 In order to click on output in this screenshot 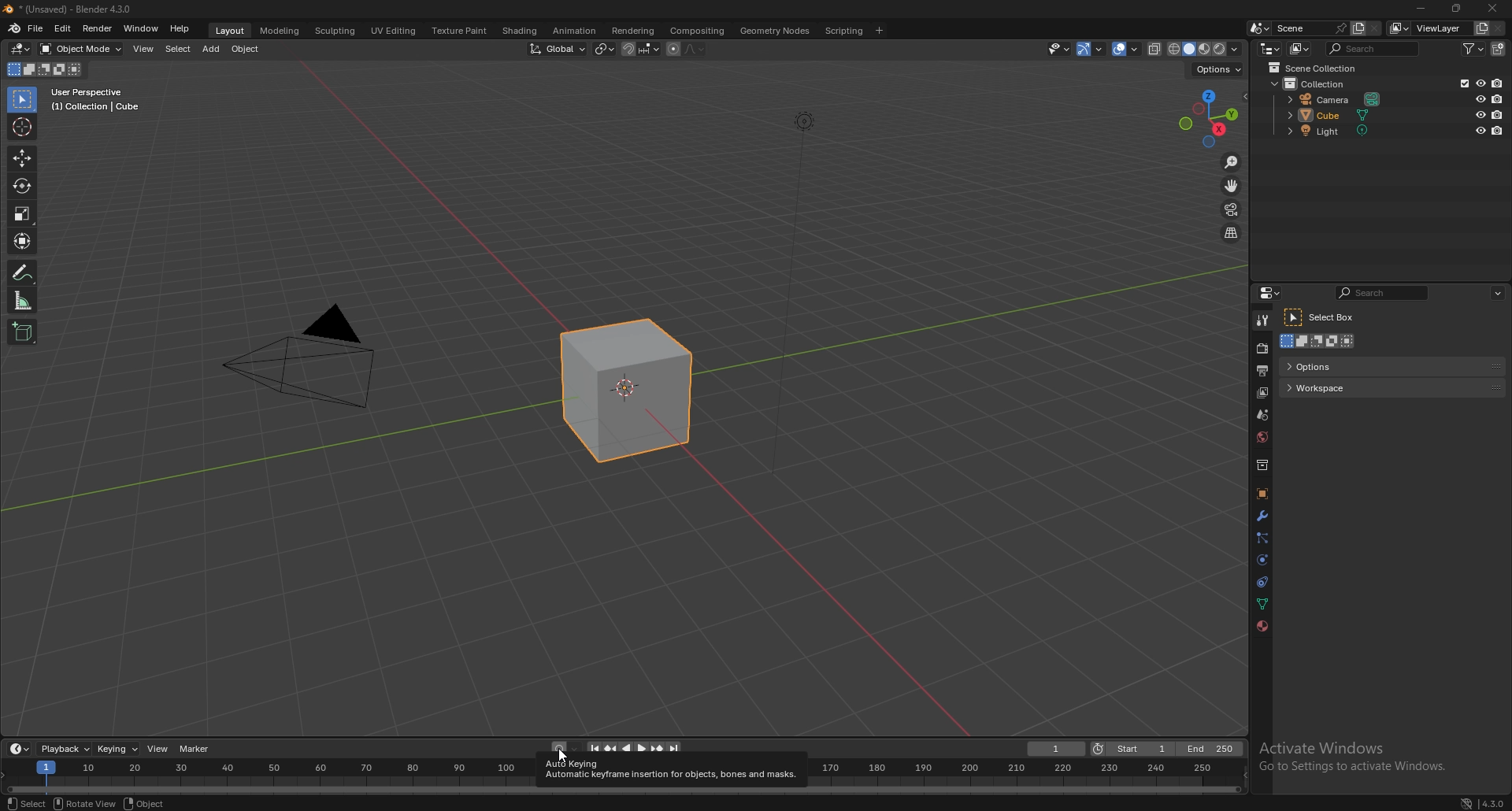, I will do `click(1262, 370)`.